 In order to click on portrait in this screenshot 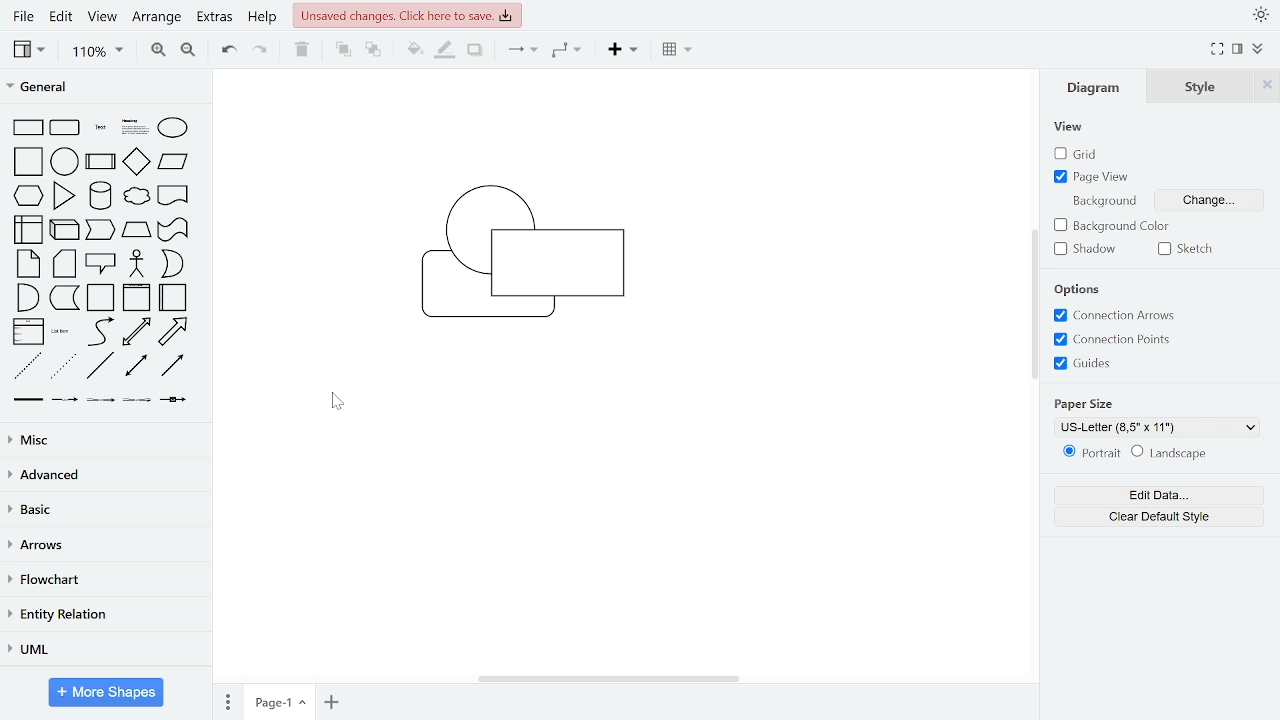, I will do `click(1094, 454)`.